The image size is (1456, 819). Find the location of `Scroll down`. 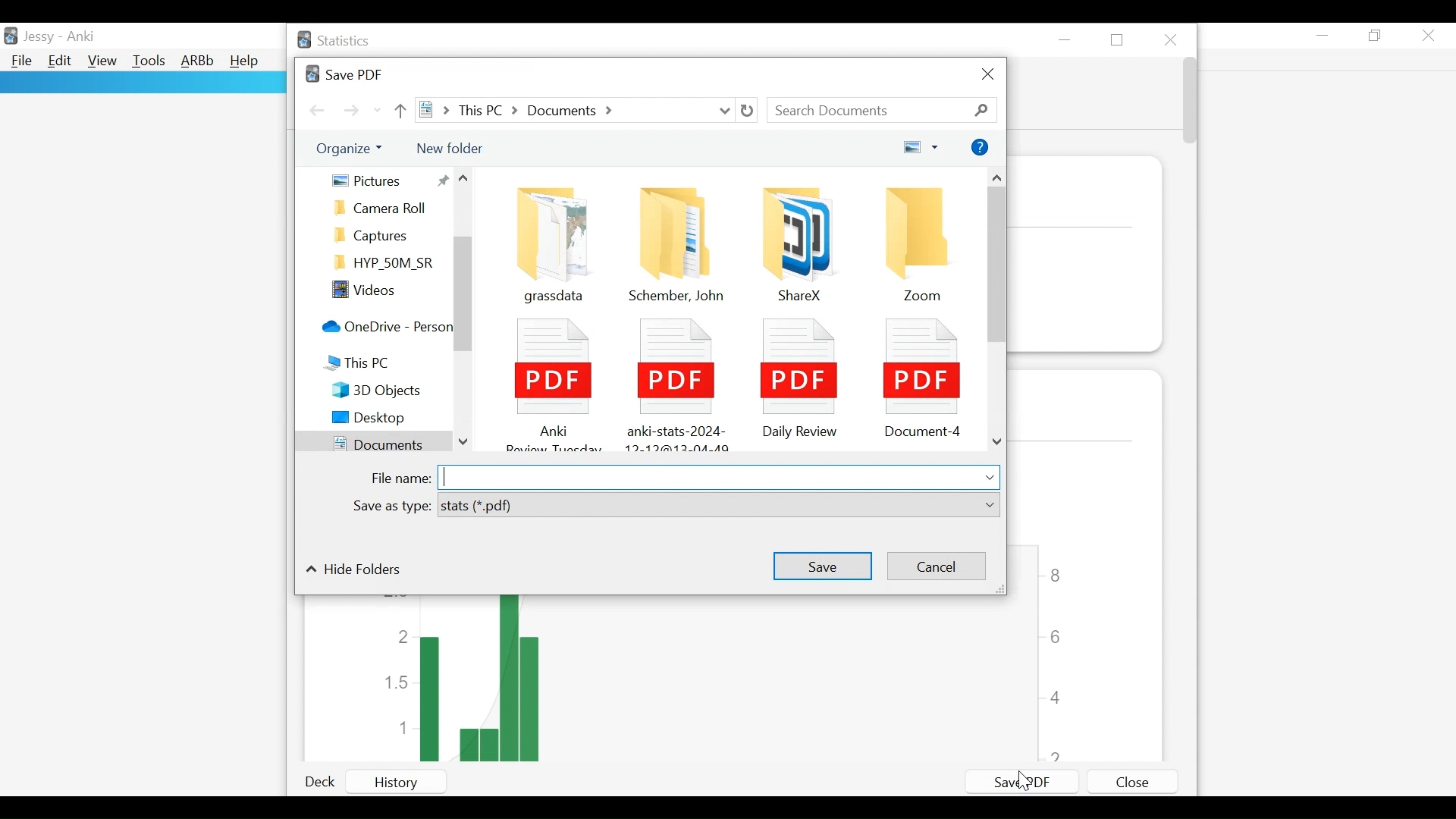

Scroll down is located at coordinates (997, 444).